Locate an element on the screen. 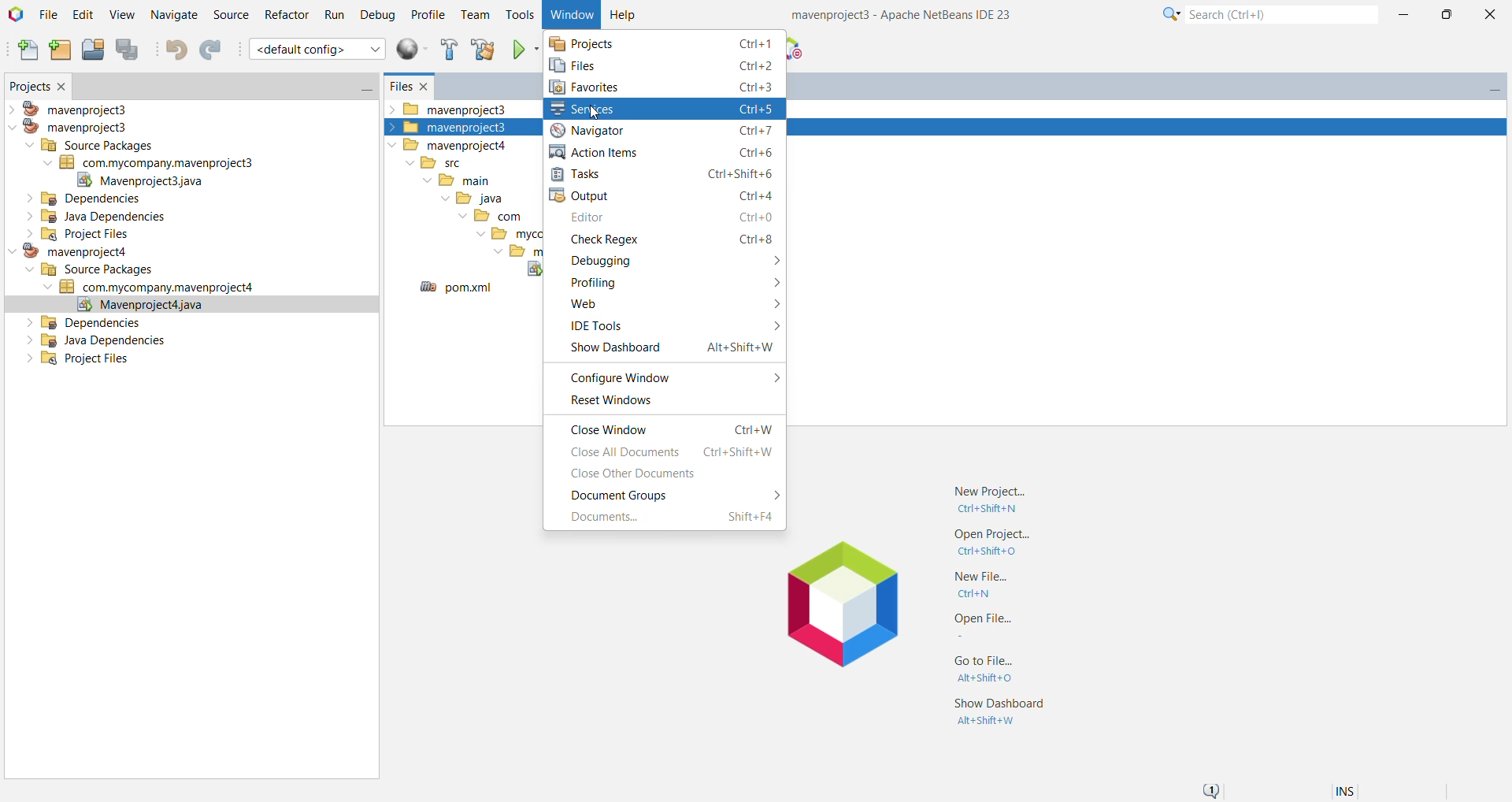 Image resolution: width=1512 pixels, height=802 pixels. Edit is located at coordinates (81, 15).